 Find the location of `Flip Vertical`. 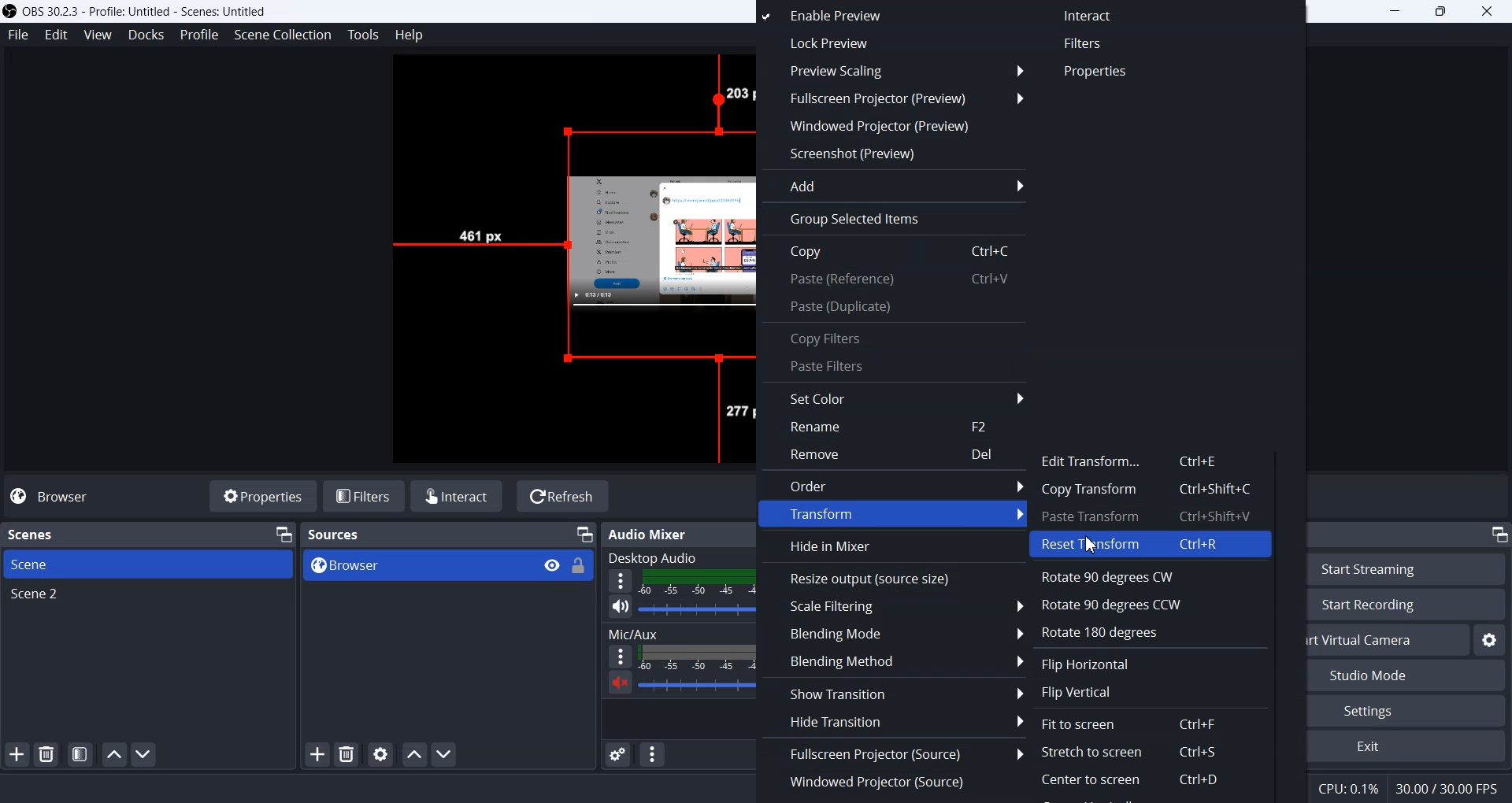

Flip Vertical is located at coordinates (1083, 691).